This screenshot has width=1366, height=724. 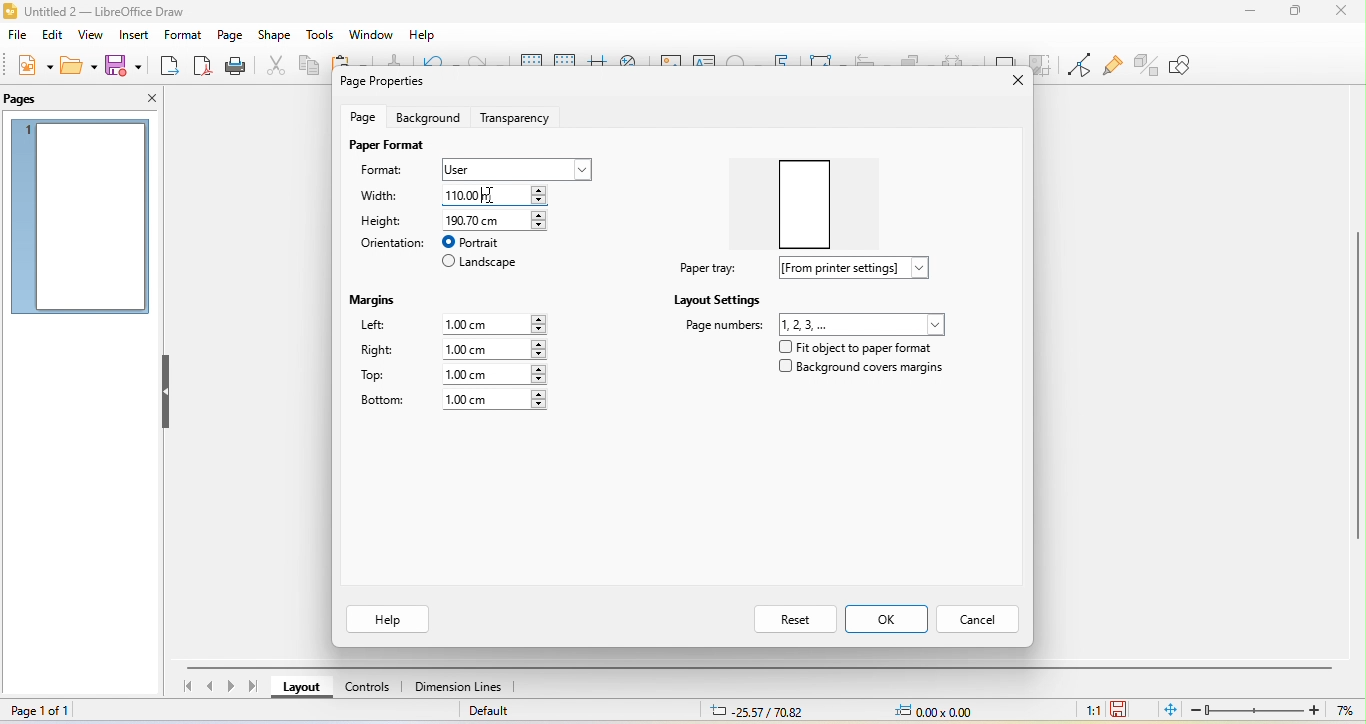 What do you see at coordinates (382, 376) in the screenshot?
I see `top` at bounding box center [382, 376].